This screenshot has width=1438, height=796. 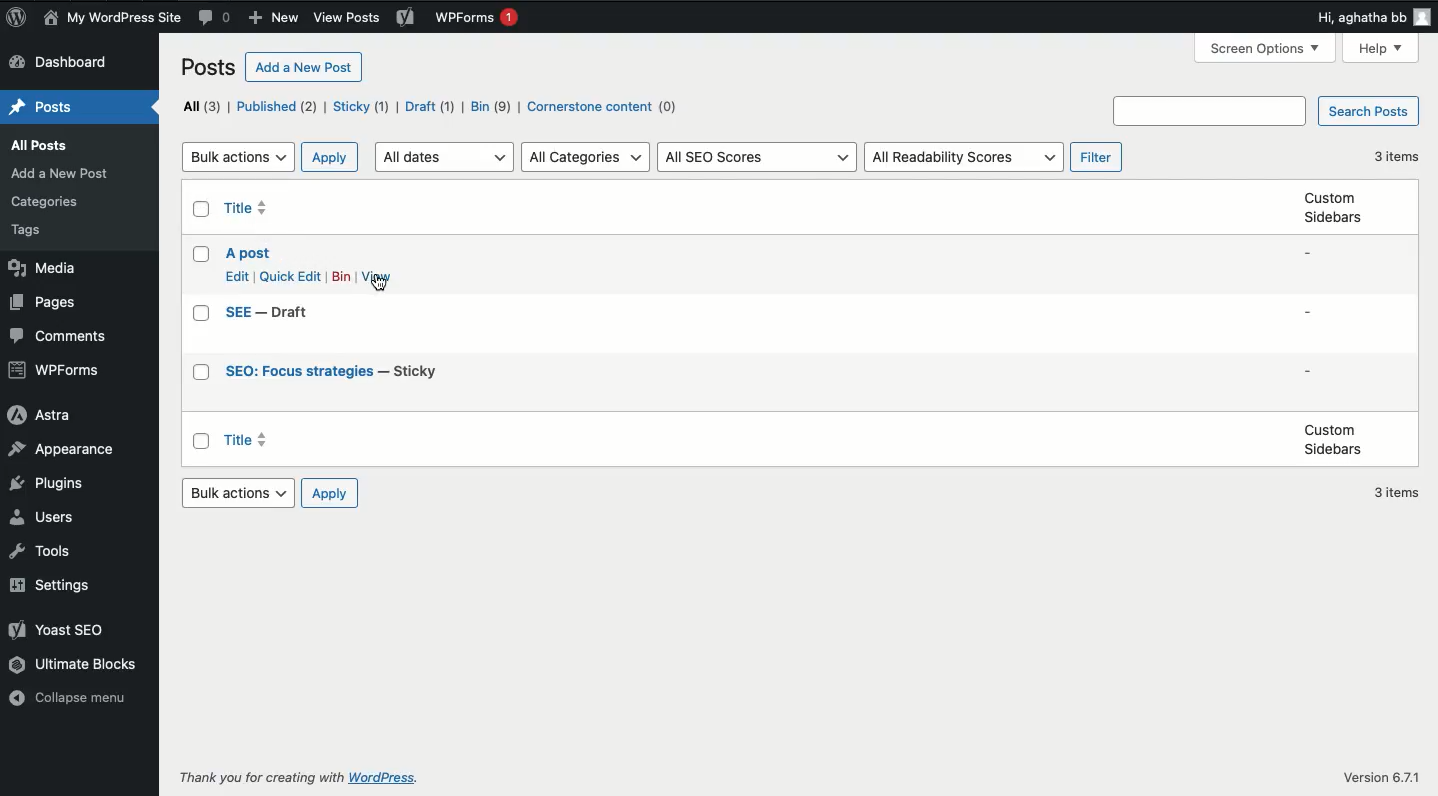 What do you see at coordinates (603, 106) in the screenshot?
I see `Cornerstone content` at bounding box center [603, 106].